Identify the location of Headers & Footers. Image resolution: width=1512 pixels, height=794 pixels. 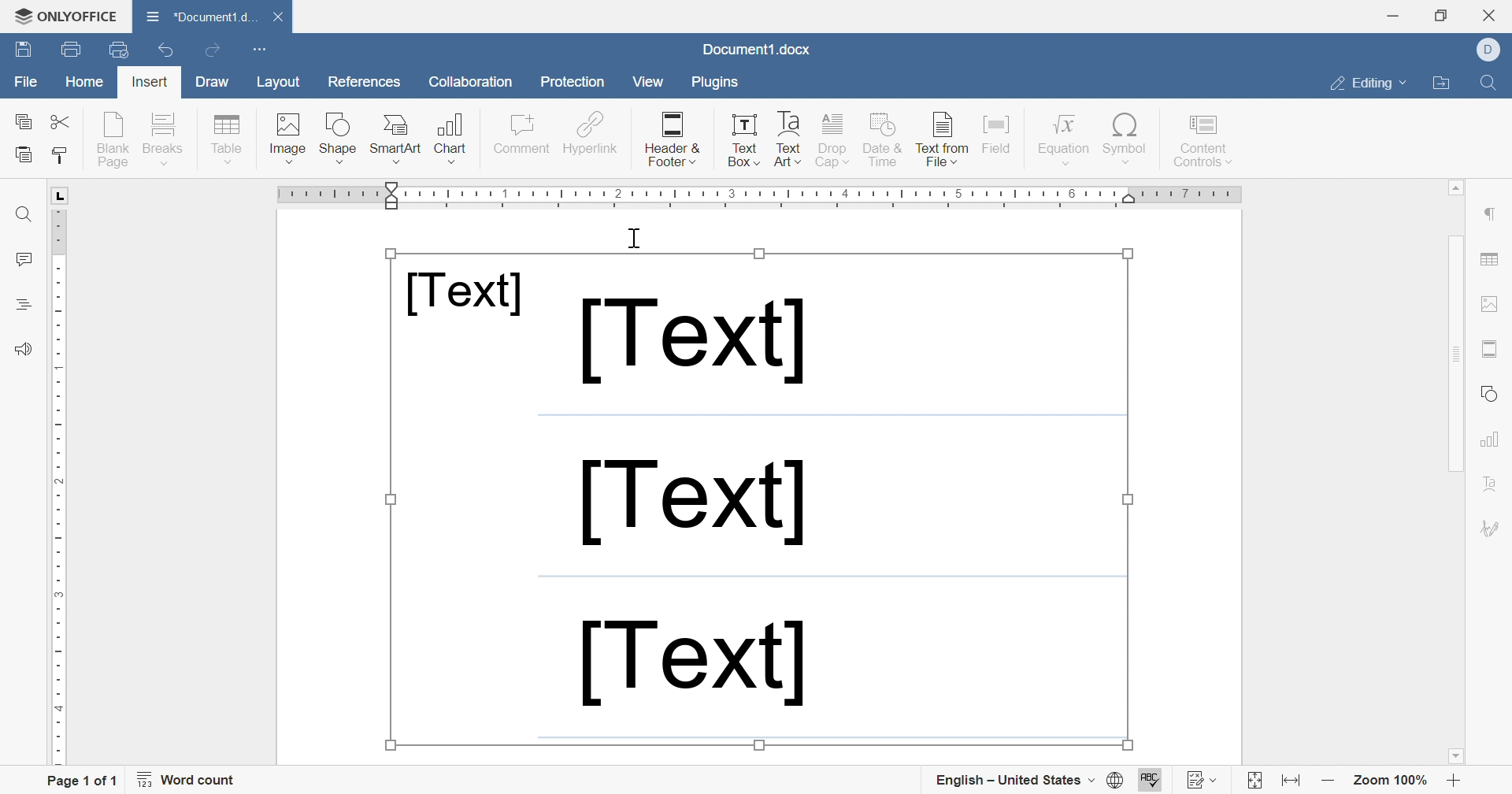
(1491, 349).